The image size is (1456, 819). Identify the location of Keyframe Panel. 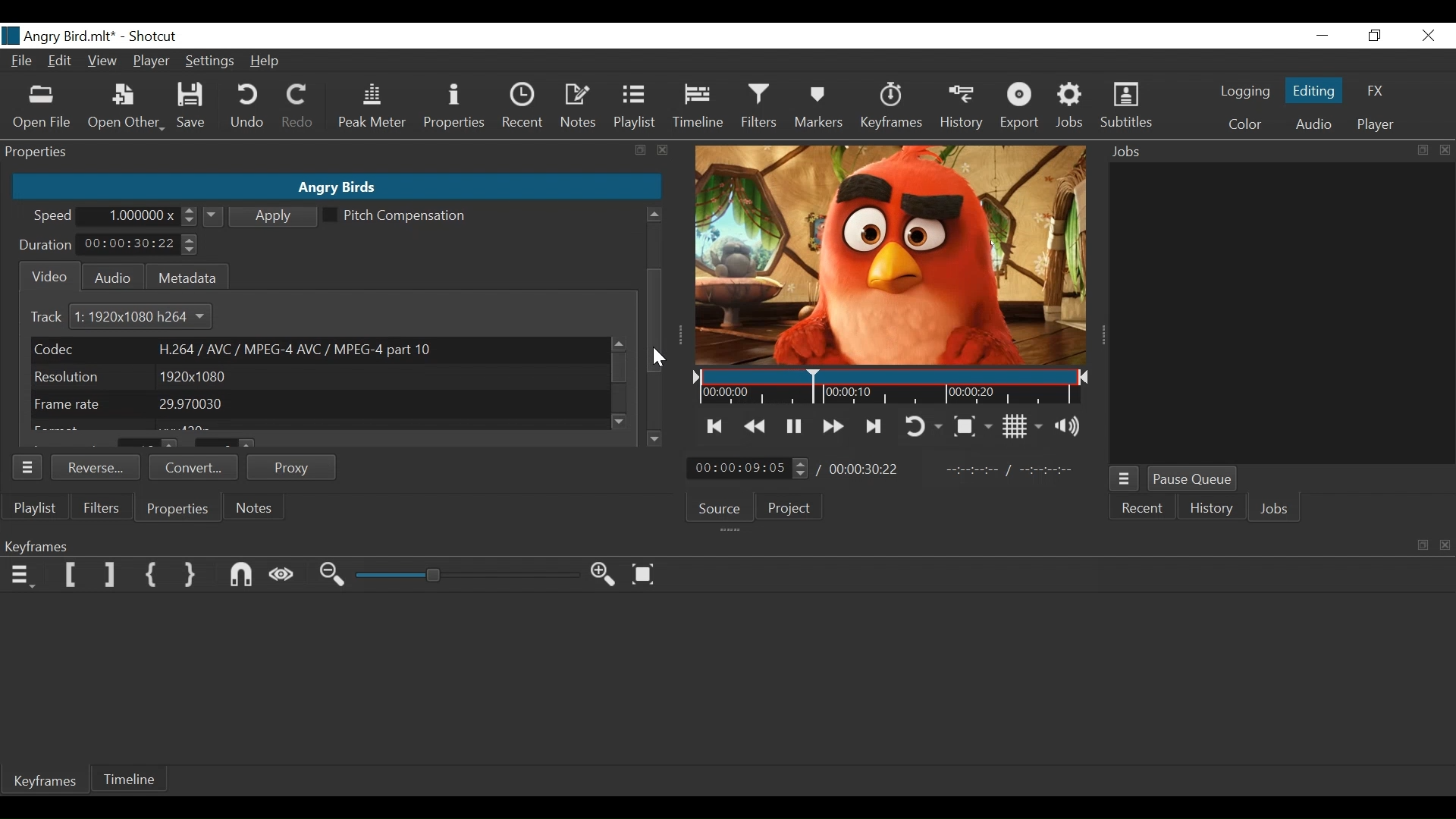
(724, 544).